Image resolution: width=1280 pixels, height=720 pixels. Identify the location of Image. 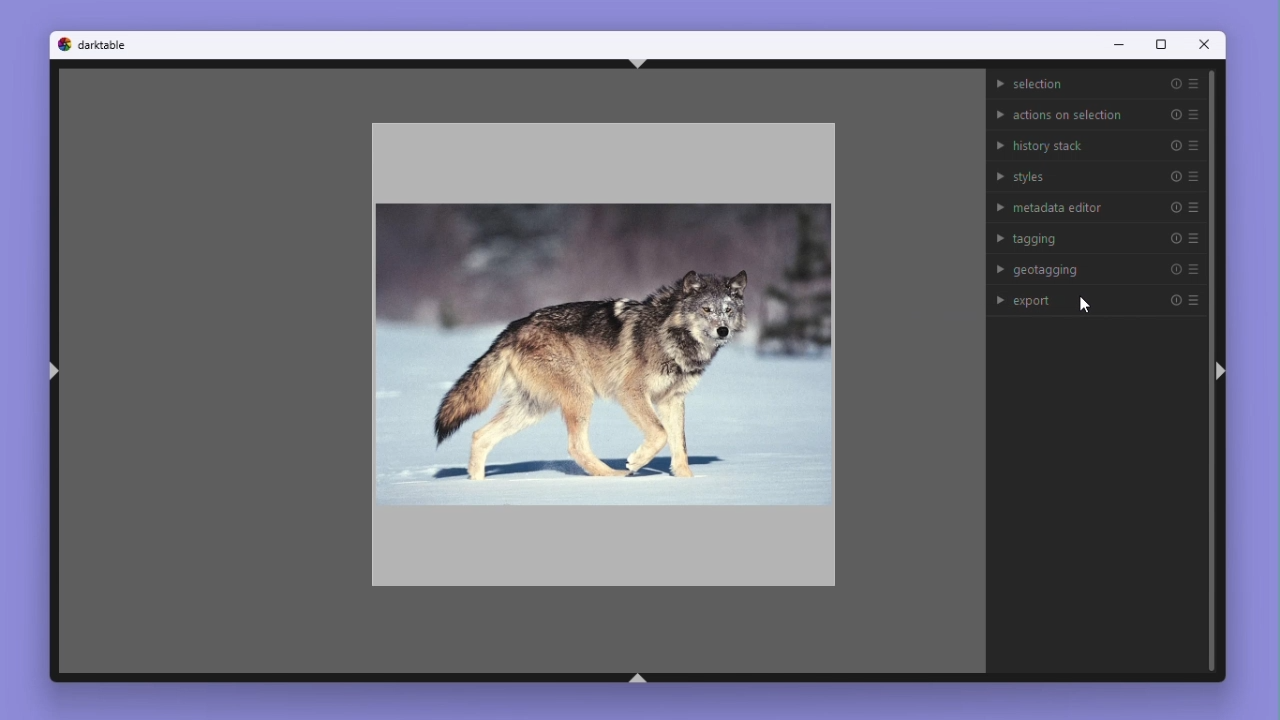
(603, 359).